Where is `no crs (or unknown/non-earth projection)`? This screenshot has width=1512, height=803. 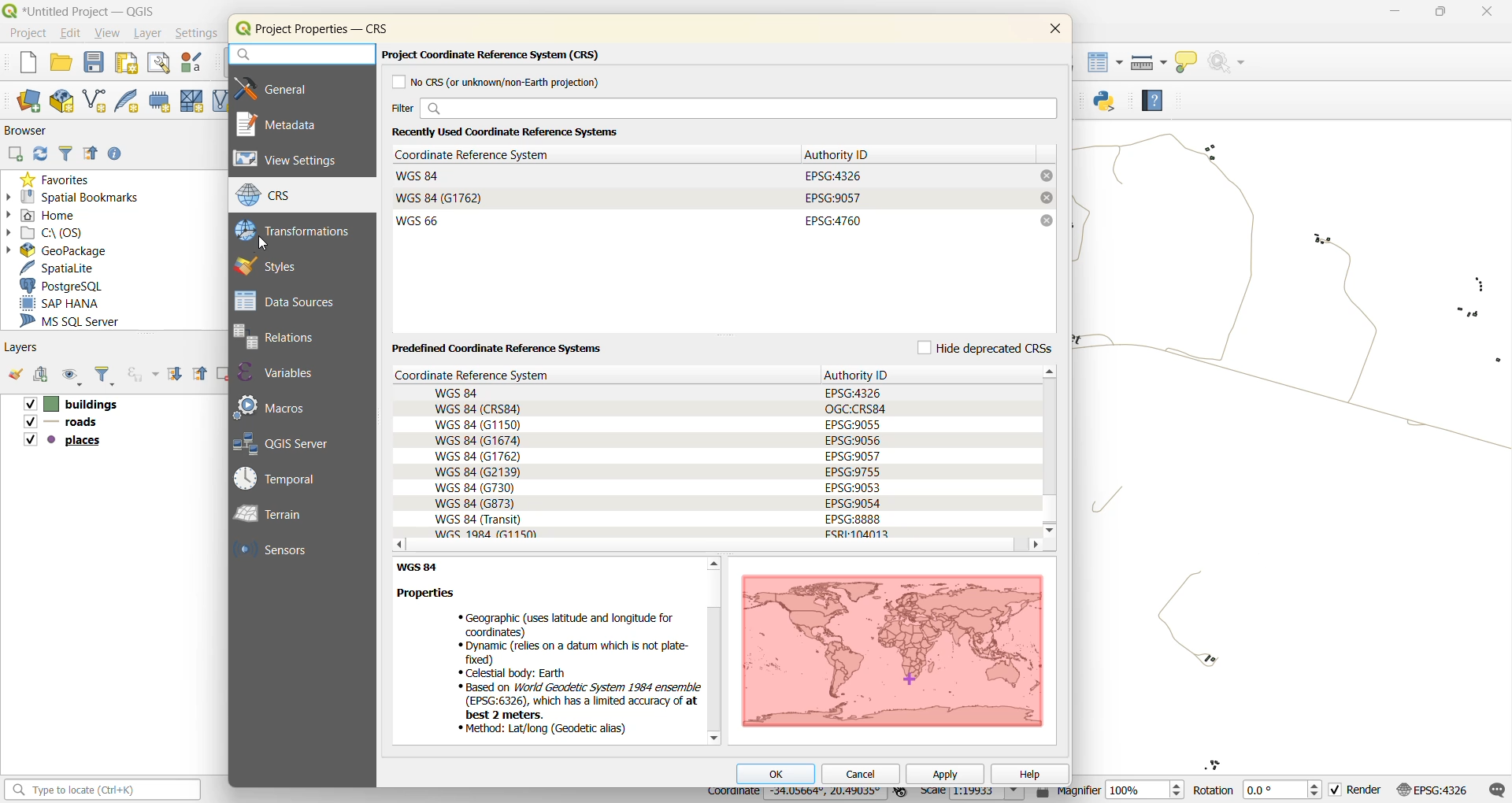
no crs (or unknown/non-earth projection) is located at coordinates (503, 82).